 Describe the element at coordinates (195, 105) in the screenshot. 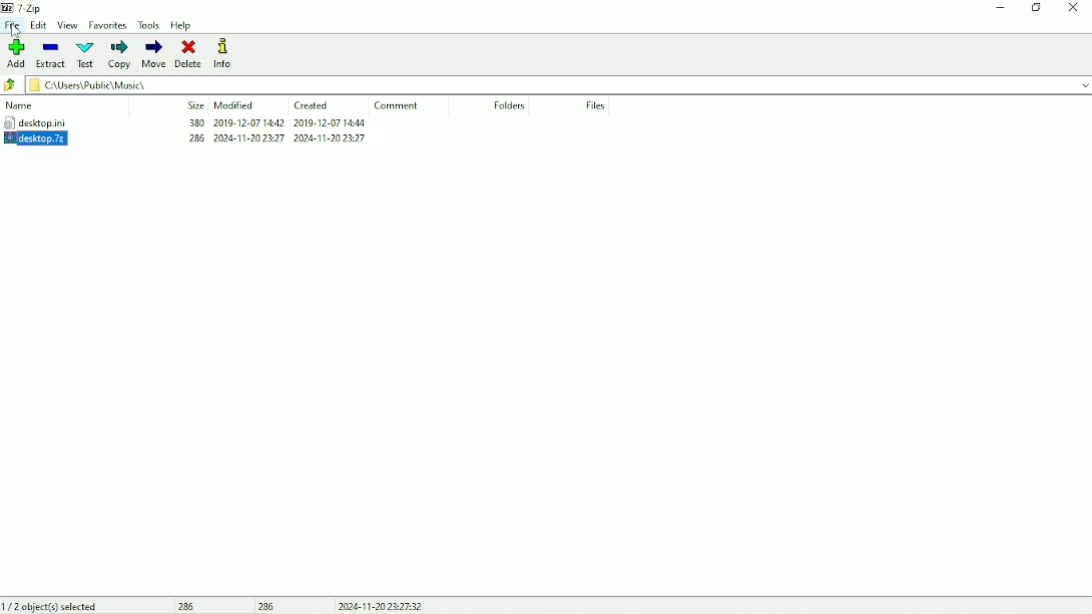

I see `Size` at that location.